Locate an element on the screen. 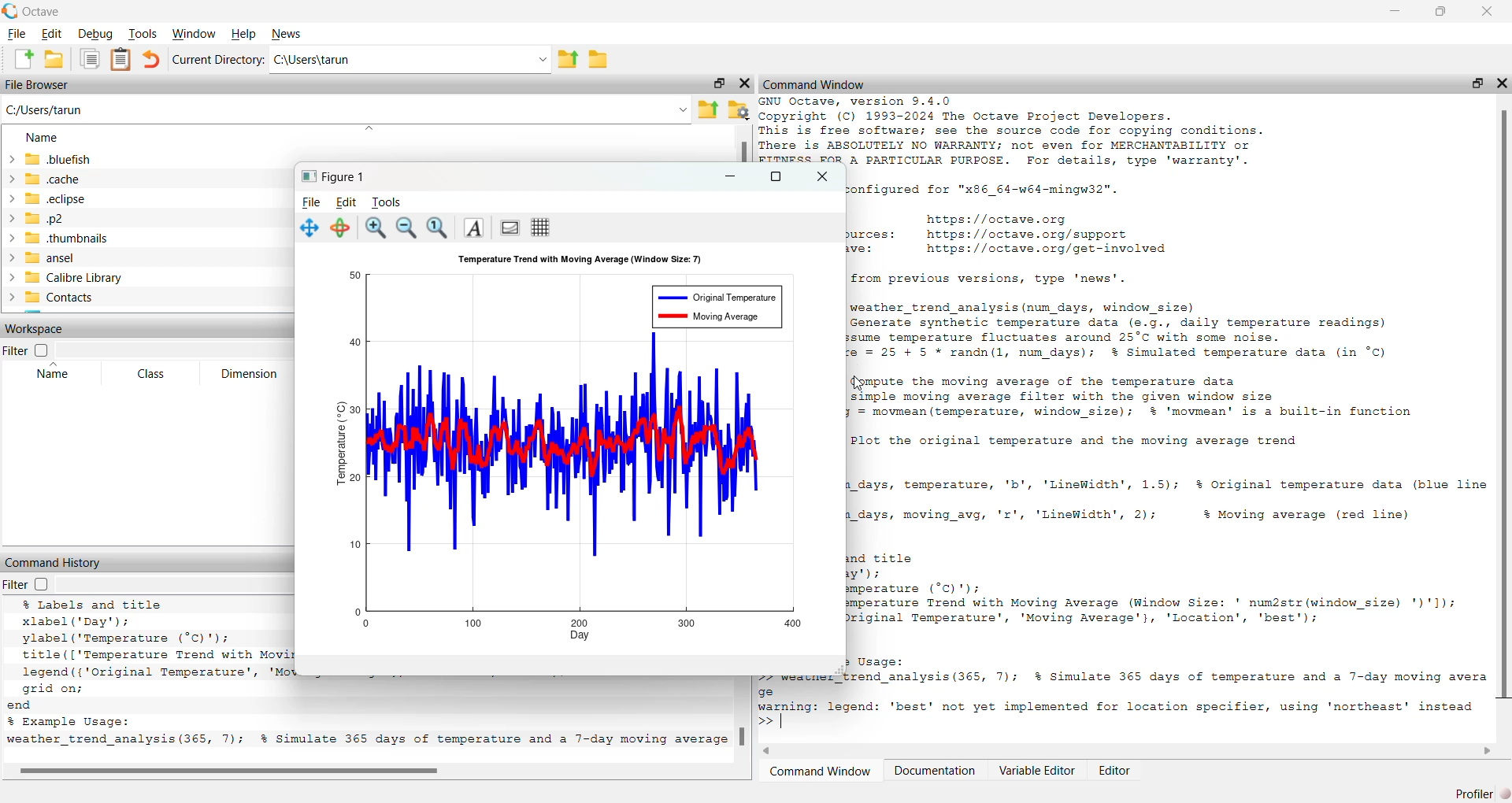 This screenshot has height=803, width=1512. Command Window is located at coordinates (819, 773).